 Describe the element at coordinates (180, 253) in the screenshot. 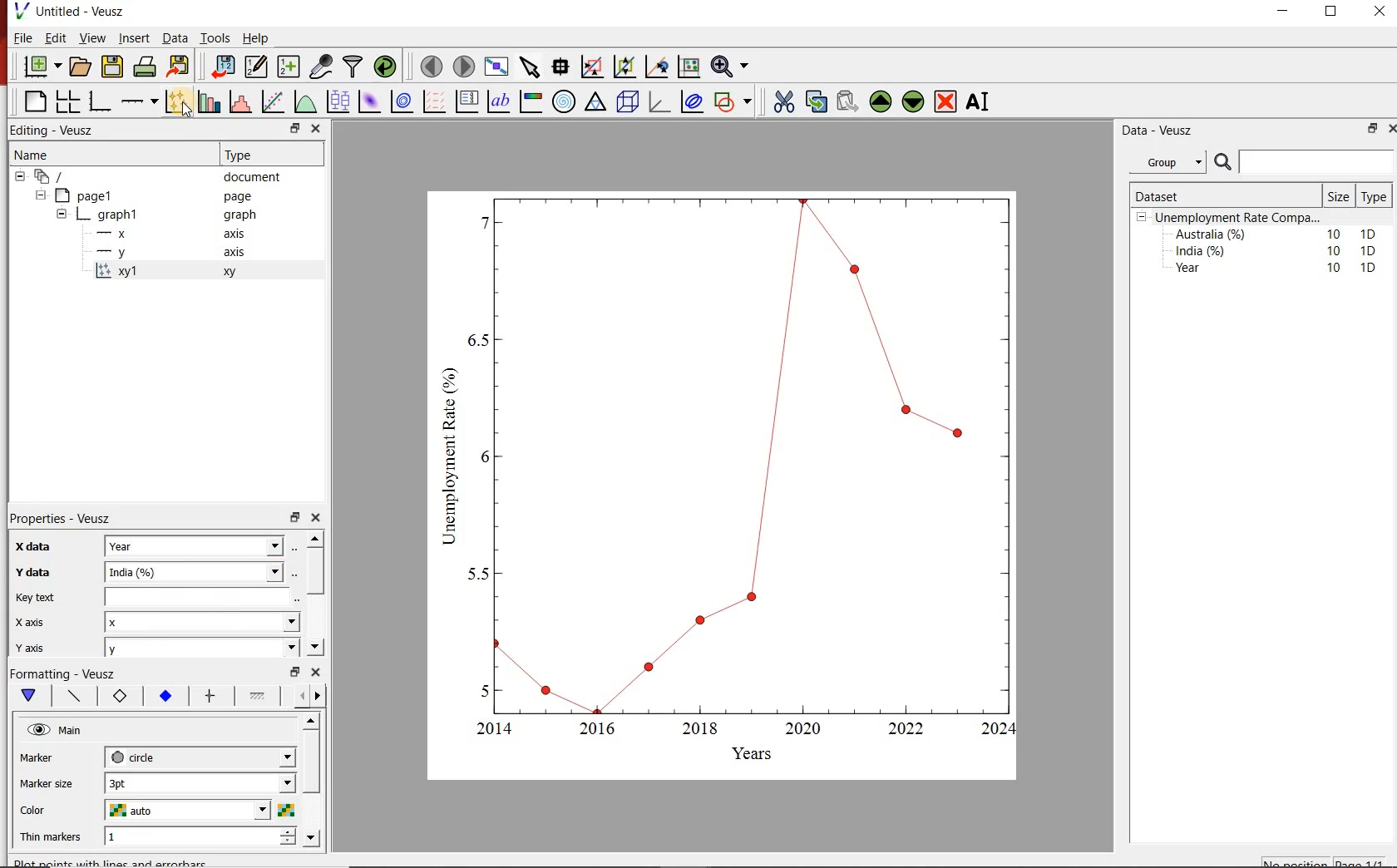

I see `y axis` at that location.